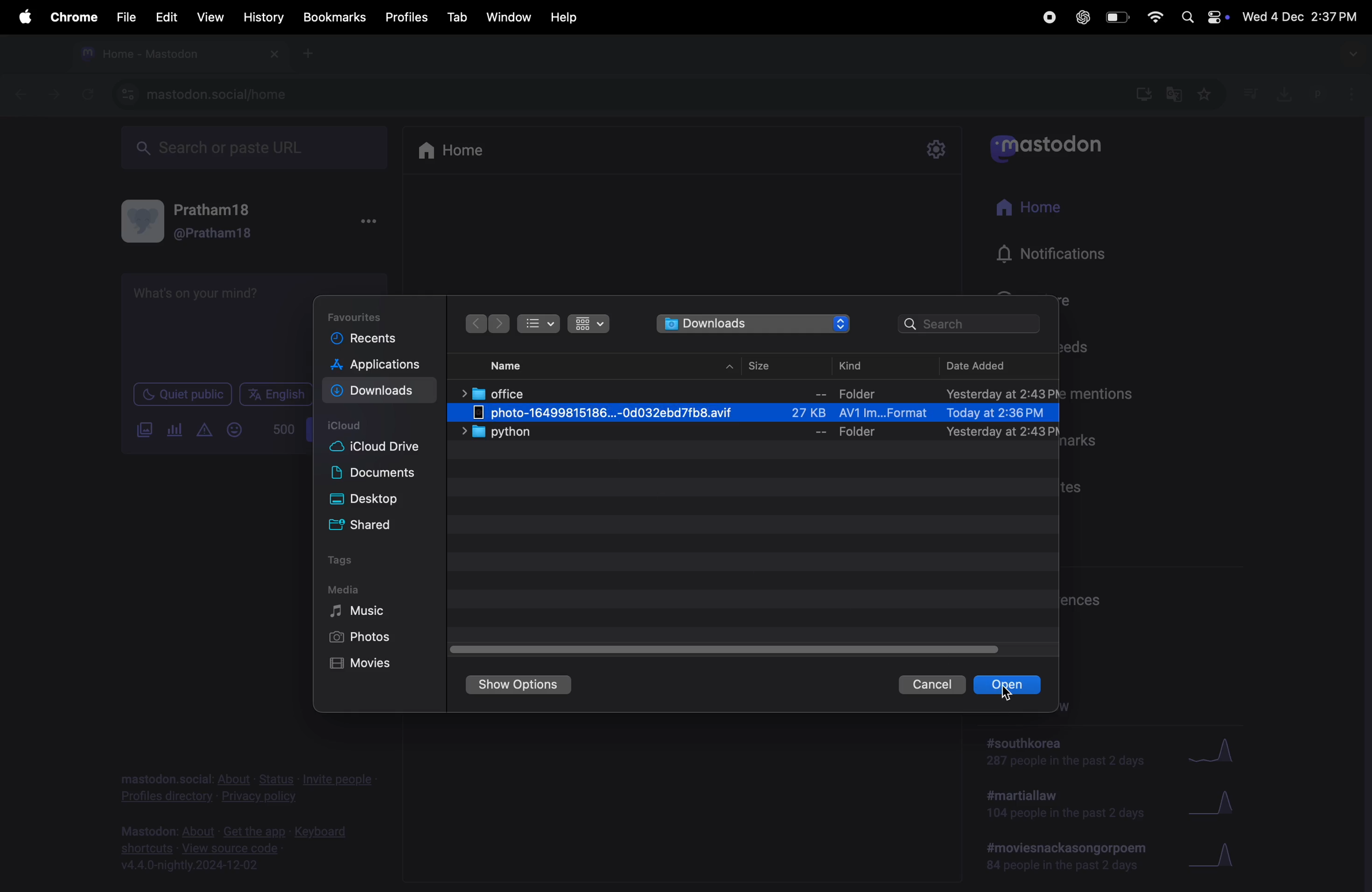 This screenshot has width=1372, height=892. Describe the element at coordinates (518, 685) in the screenshot. I see `show options` at that location.